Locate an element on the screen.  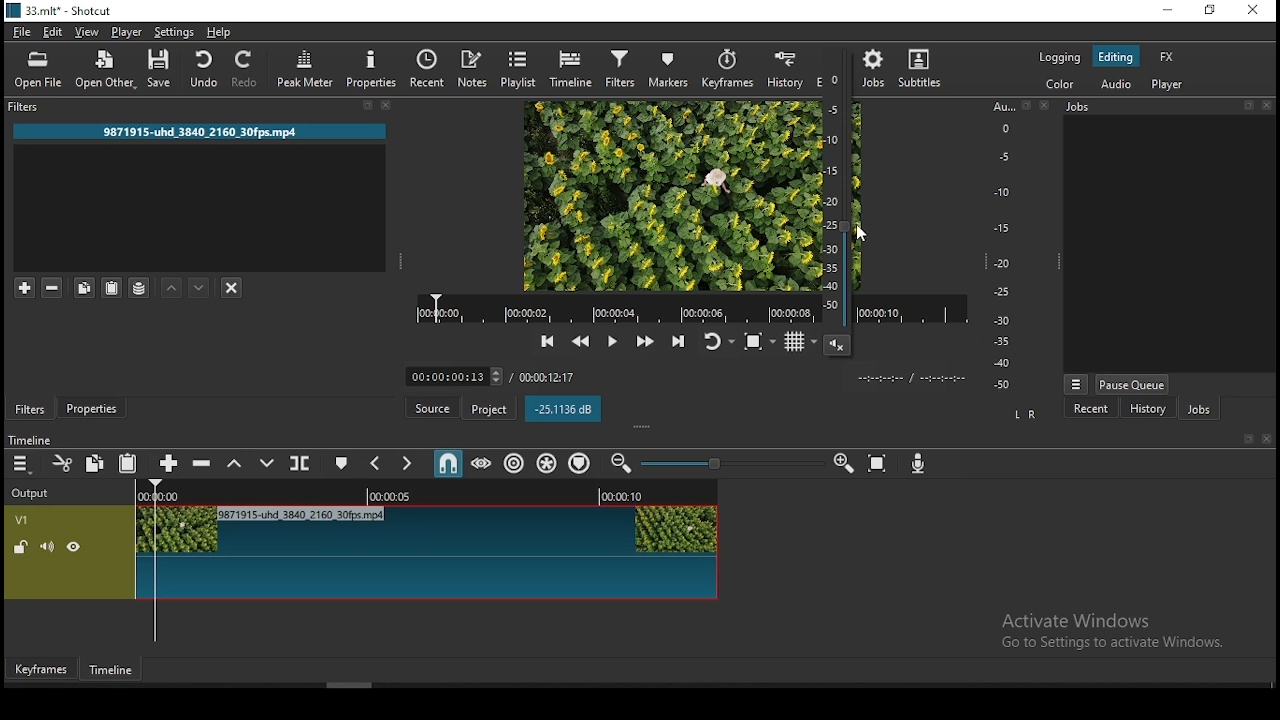
project is located at coordinates (492, 410).